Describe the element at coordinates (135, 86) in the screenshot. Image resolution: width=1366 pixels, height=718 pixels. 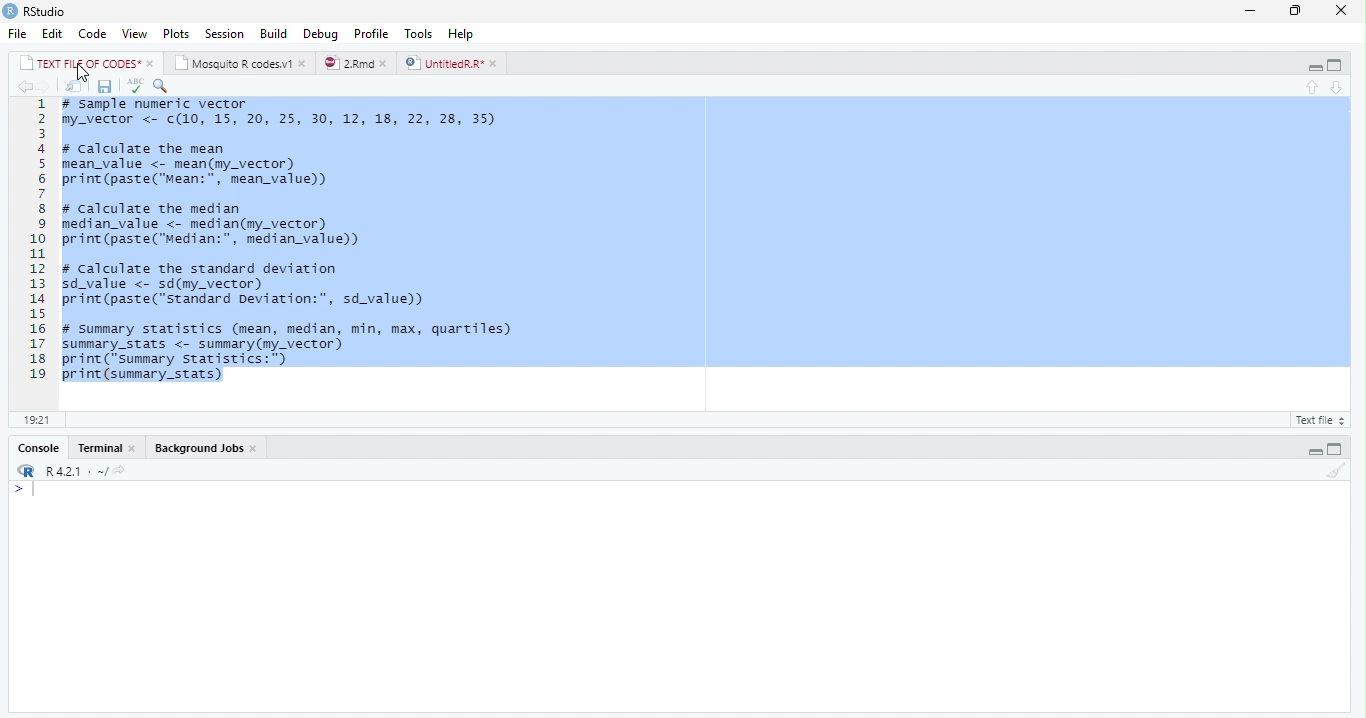
I see `spelling check` at that location.